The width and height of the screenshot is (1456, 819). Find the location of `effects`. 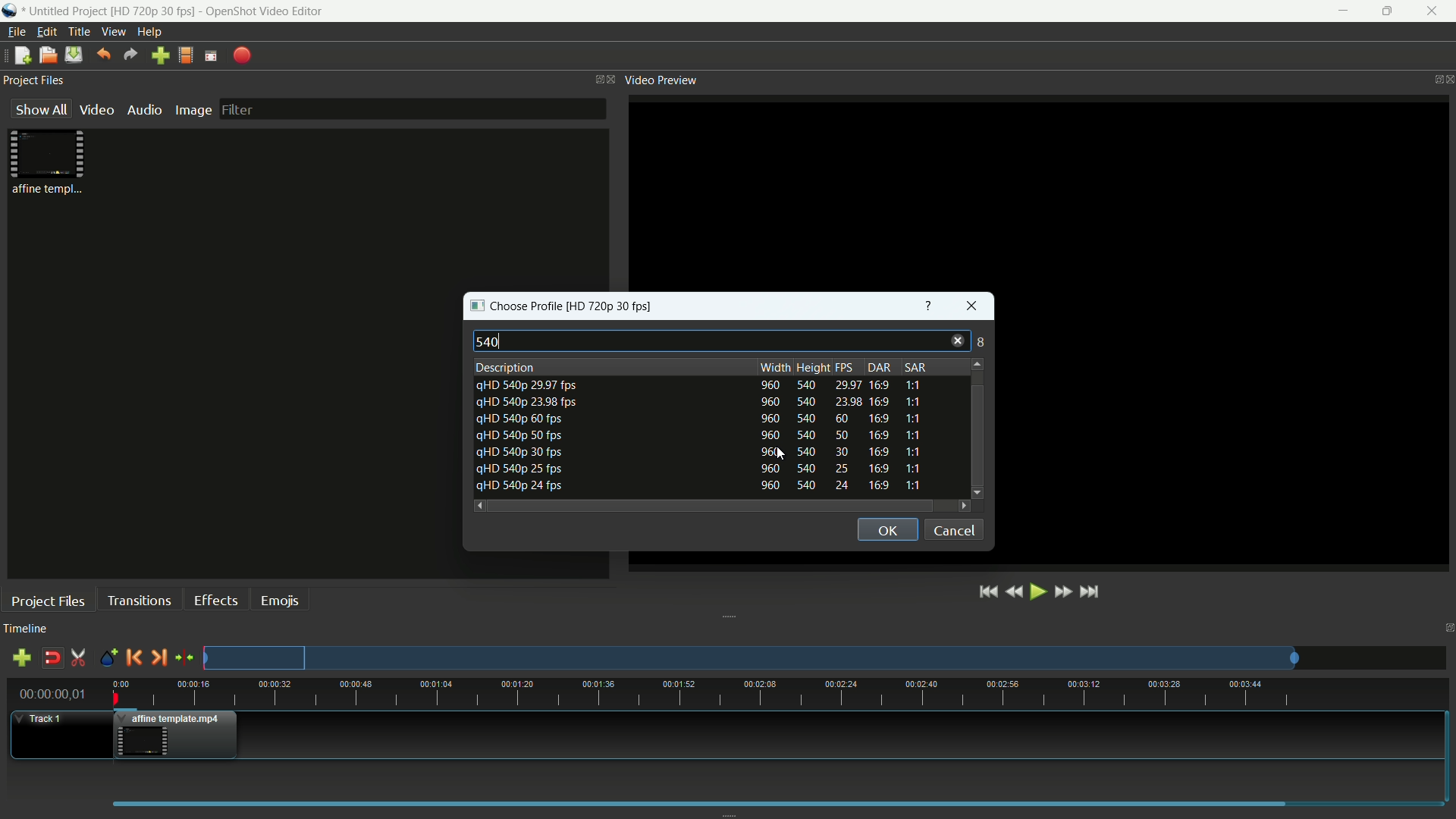

effects is located at coordinates (215, 600).